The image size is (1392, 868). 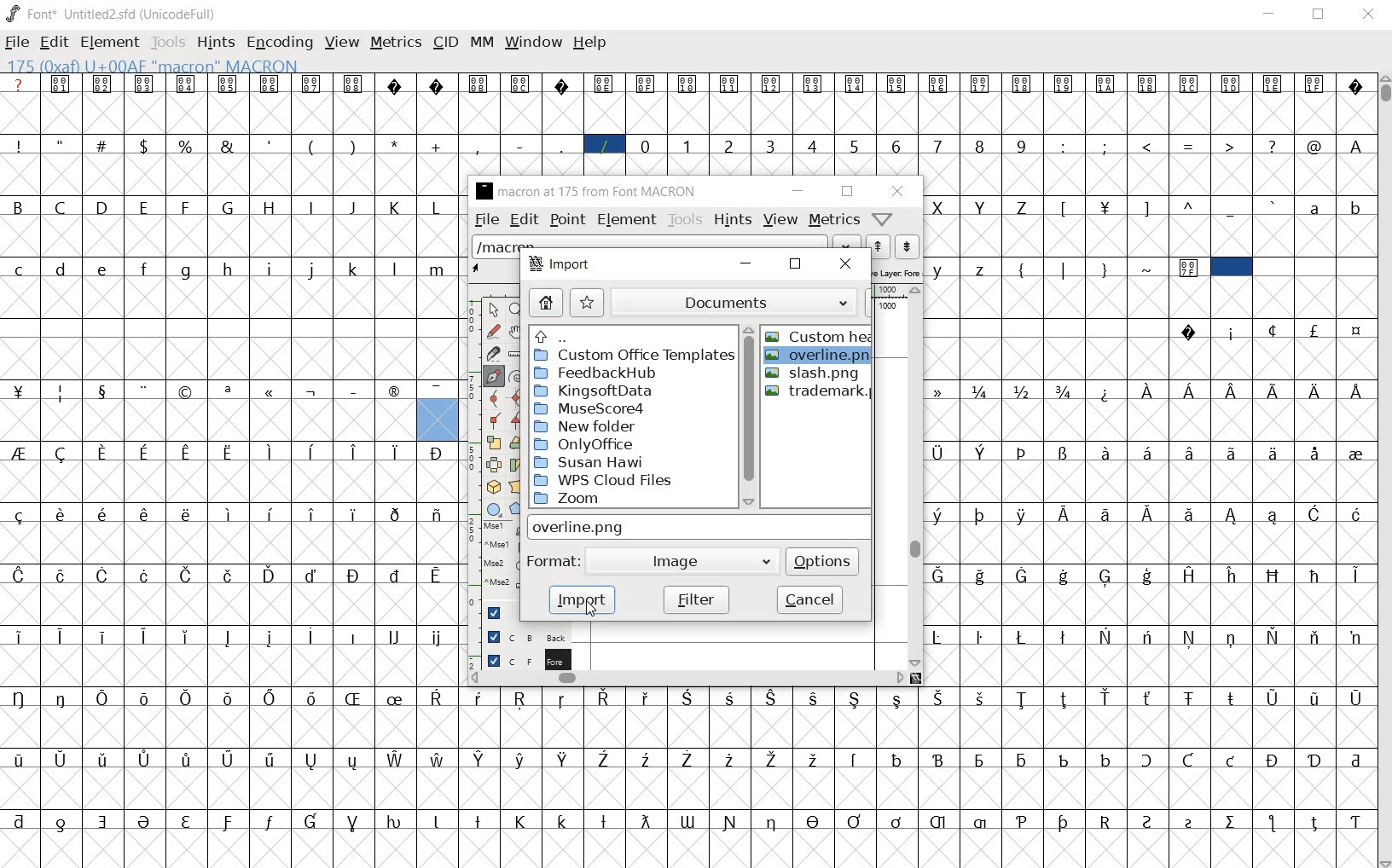 I want to click on Symbol, so click(x=438, y=512).